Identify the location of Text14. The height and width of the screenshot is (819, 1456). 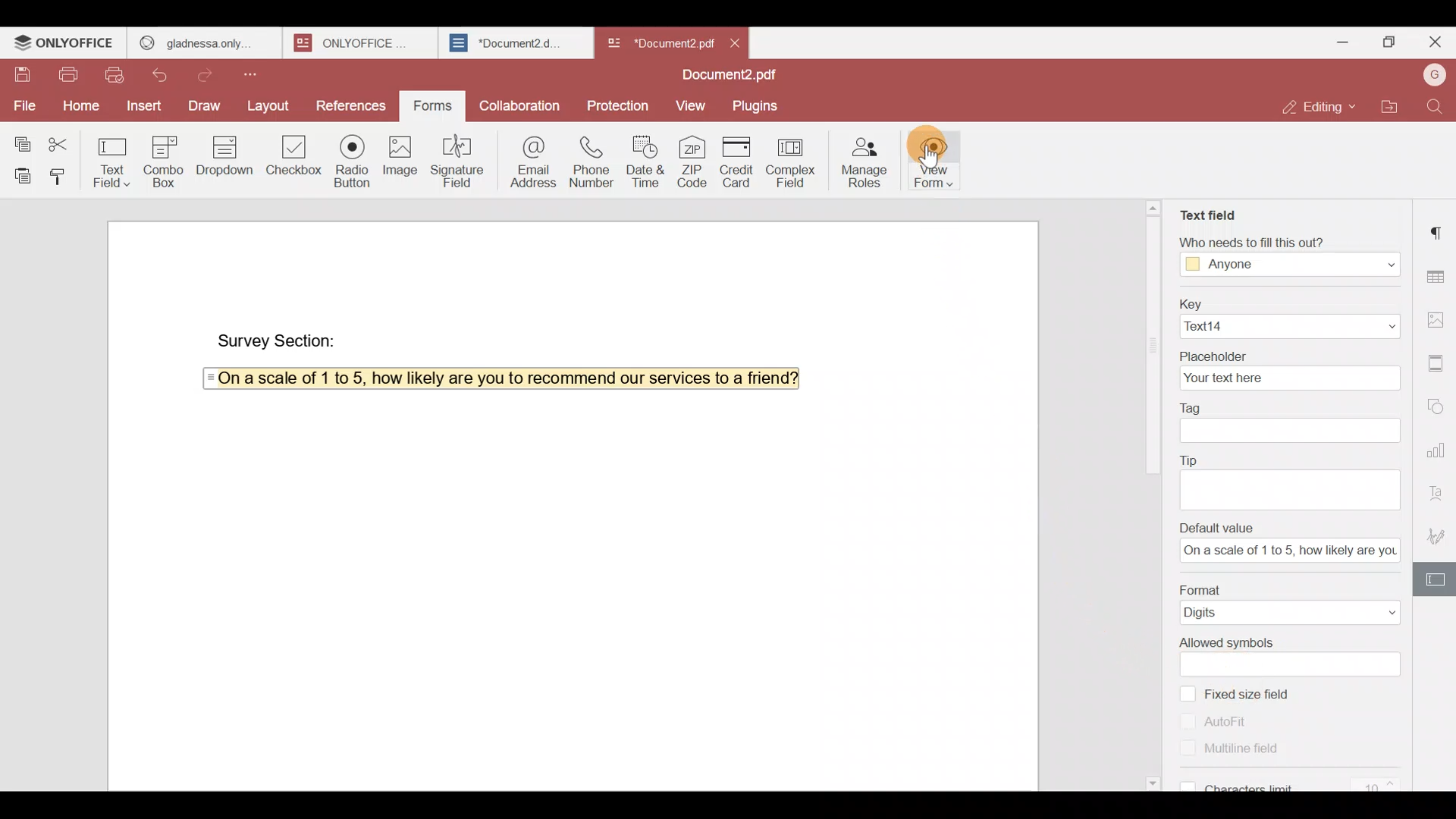
(1287, 326).